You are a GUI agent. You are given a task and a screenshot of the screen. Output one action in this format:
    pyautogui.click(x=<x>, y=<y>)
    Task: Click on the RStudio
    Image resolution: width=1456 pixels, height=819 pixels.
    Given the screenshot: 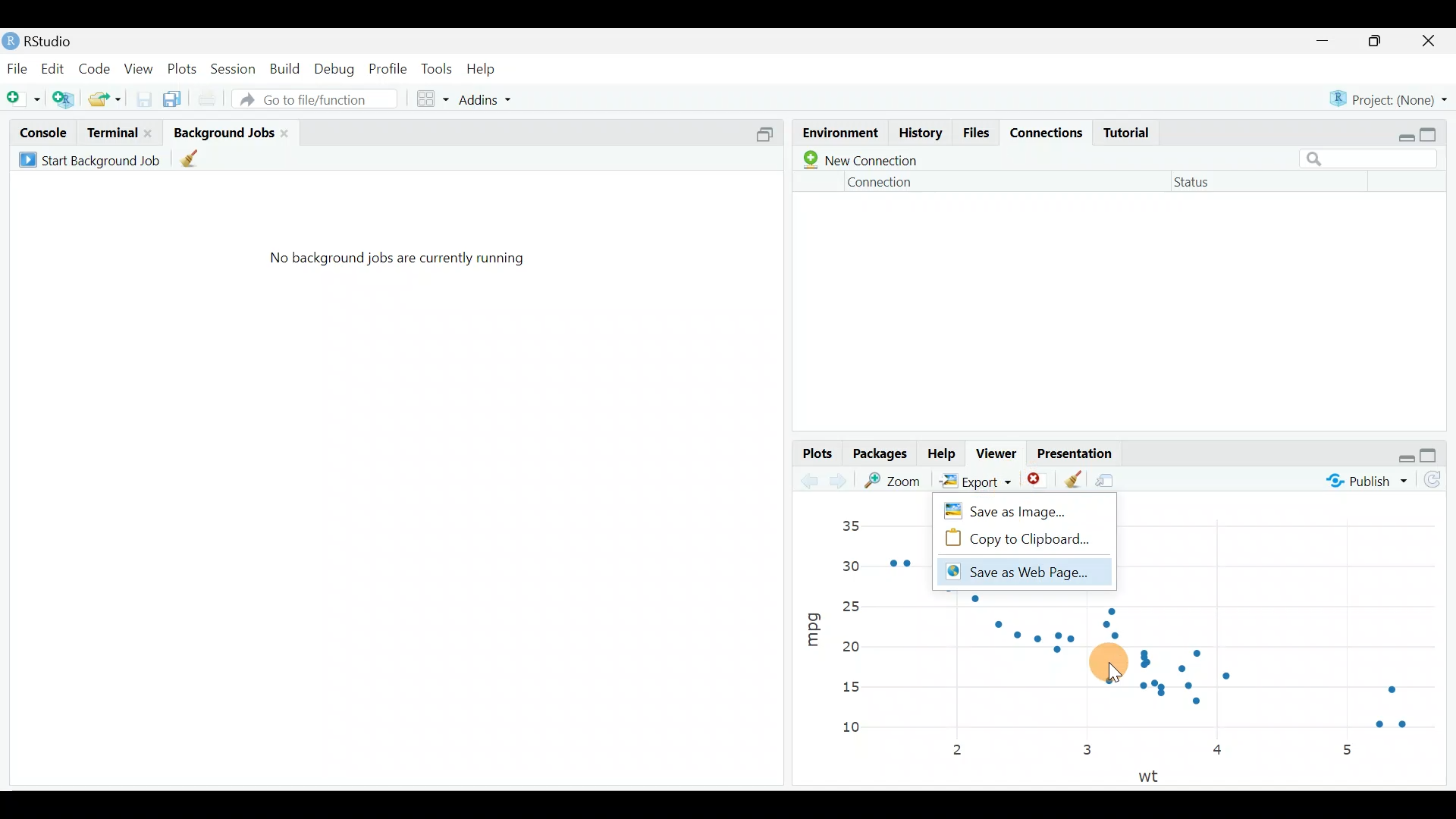 What is the action you would take?
    pyautogui.click(x=61, y=39)
    